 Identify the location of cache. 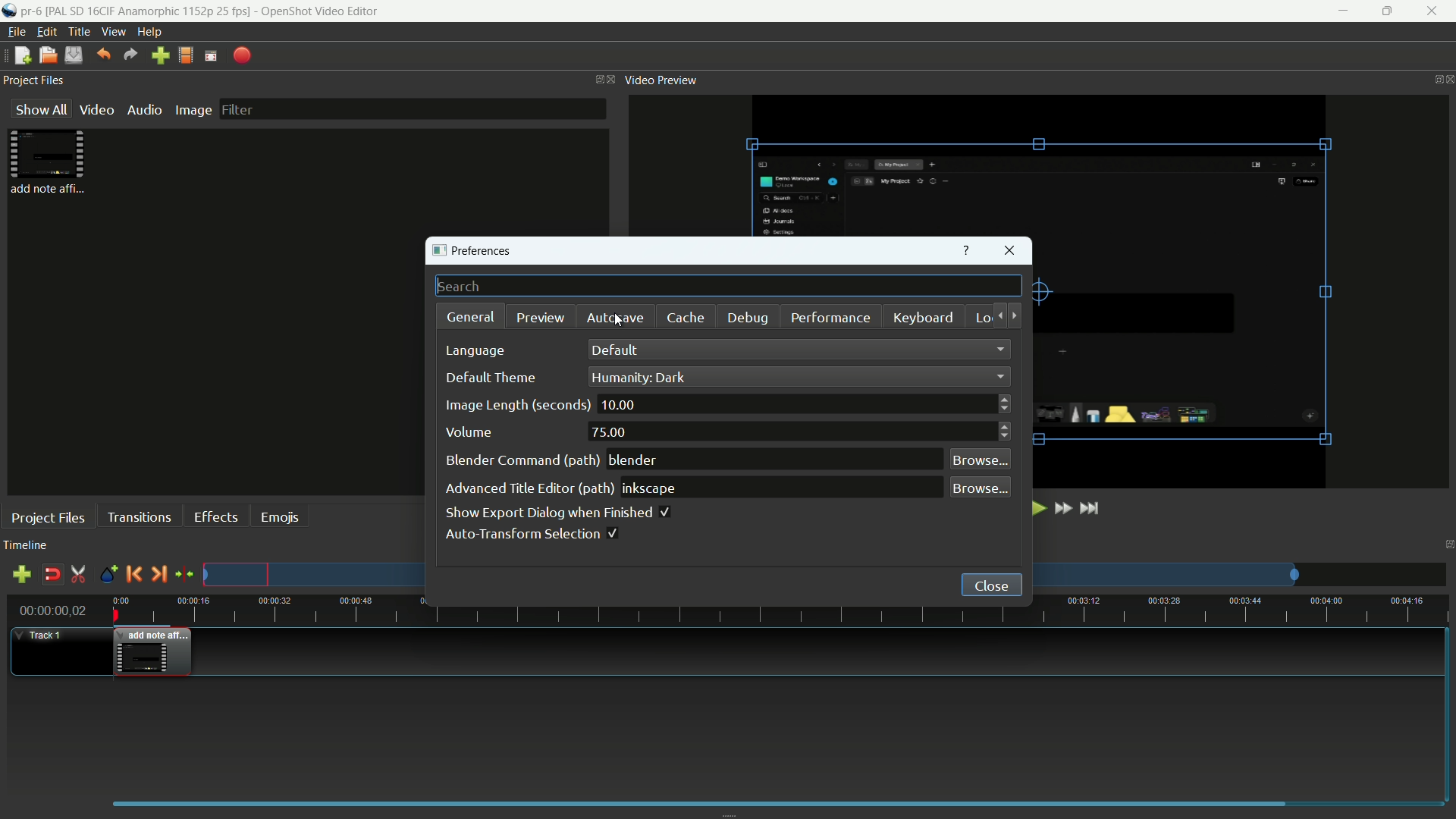
(685, 318).